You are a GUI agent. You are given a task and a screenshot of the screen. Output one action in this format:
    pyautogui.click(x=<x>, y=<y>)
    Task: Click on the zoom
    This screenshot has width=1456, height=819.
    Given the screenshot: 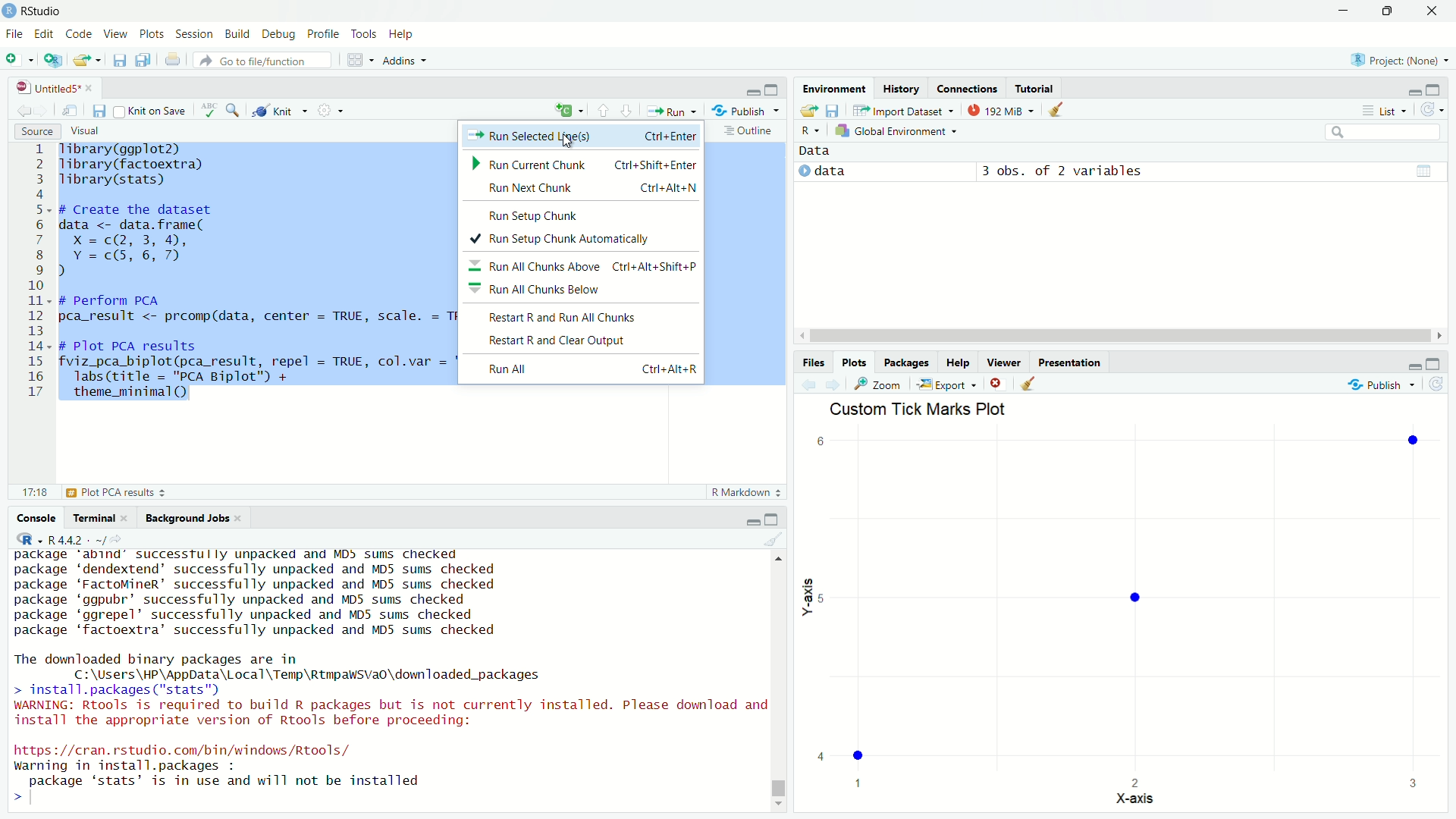 What is the action you would take?
    pyautogui.click(x=880, y=384)
    